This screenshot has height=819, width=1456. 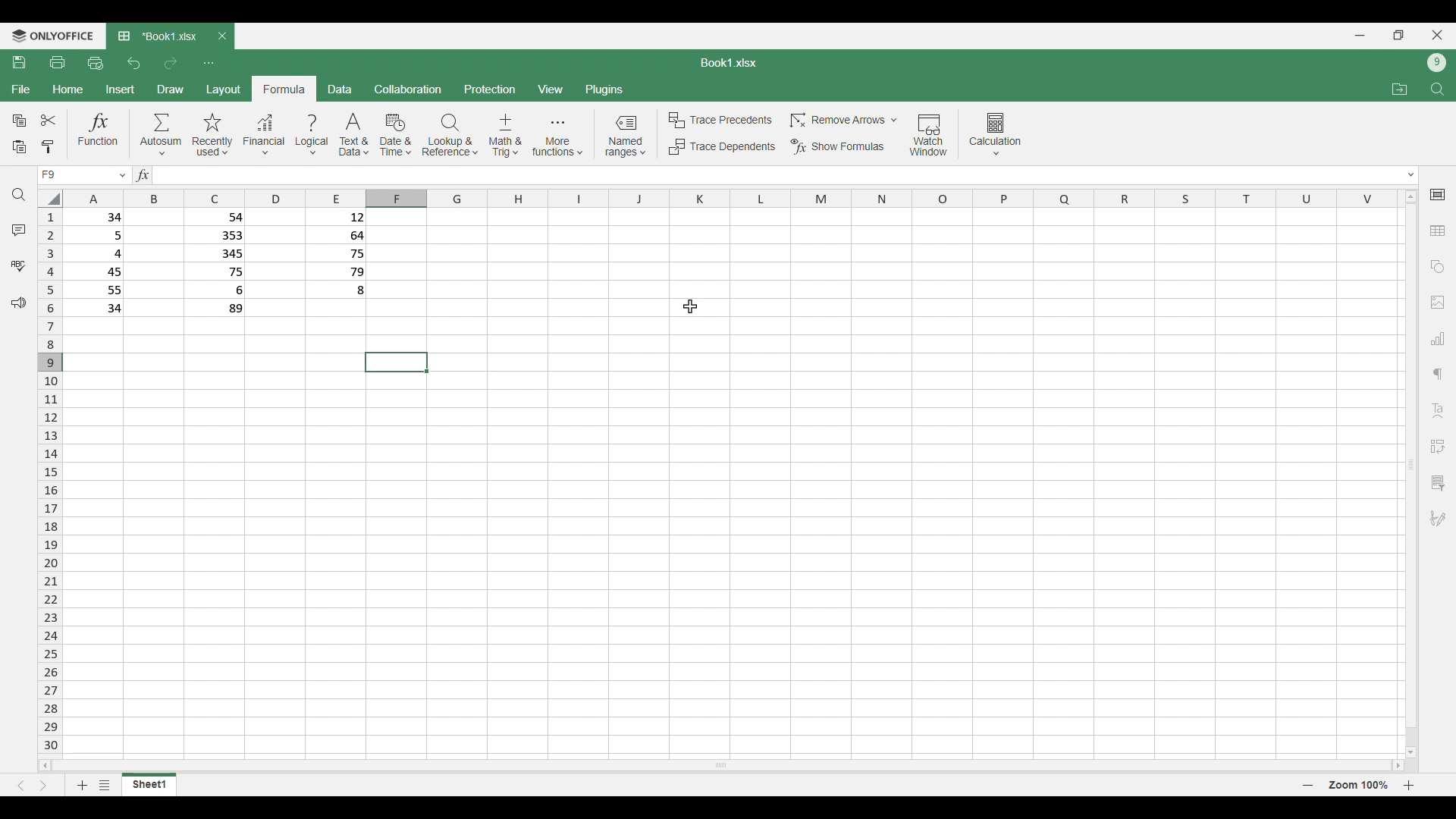 I want to click on Protection menu, so click(x=490, y=89).